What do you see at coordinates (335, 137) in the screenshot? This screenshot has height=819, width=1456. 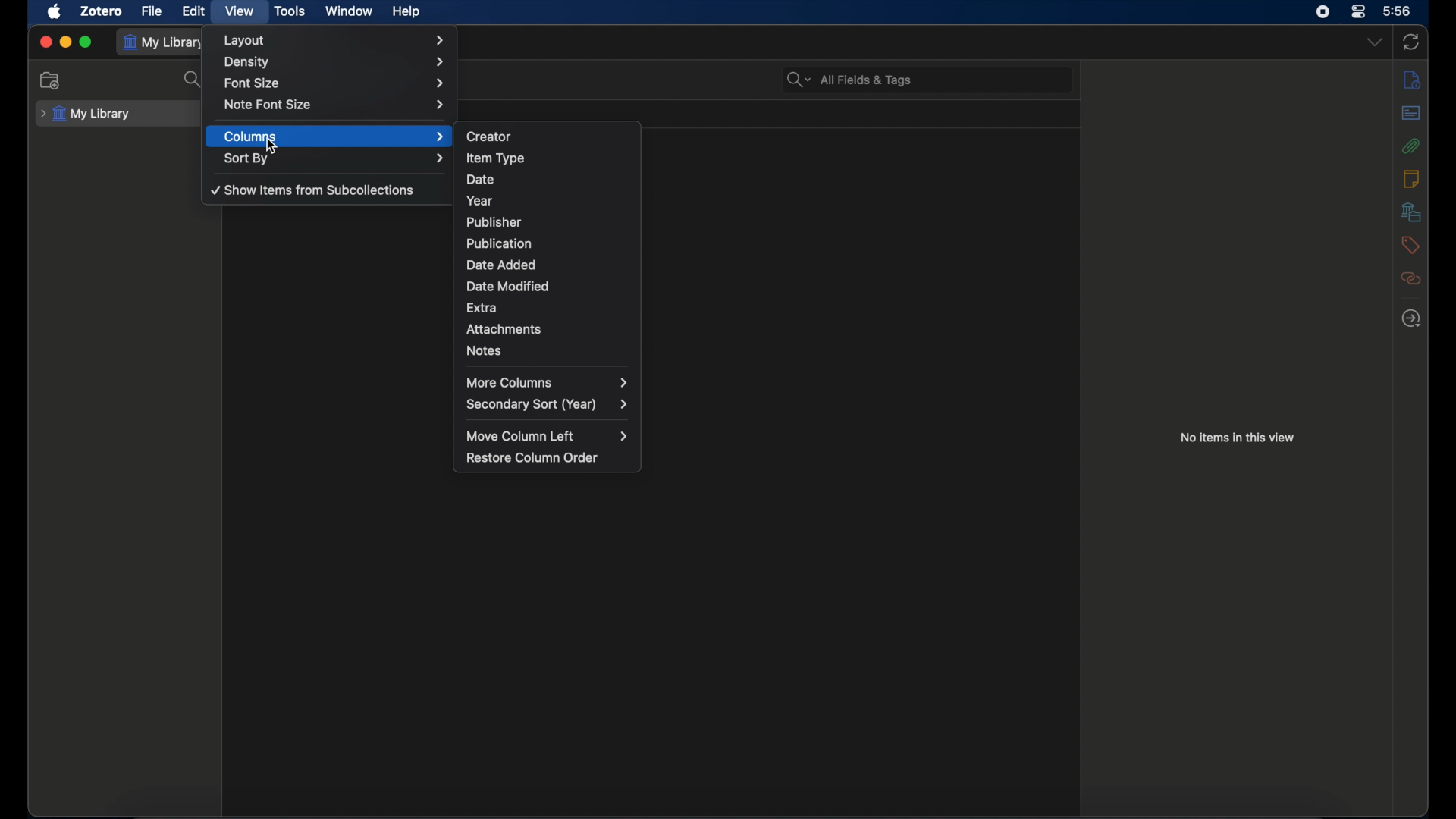 I see `columns` at bounding box center [335, 137].